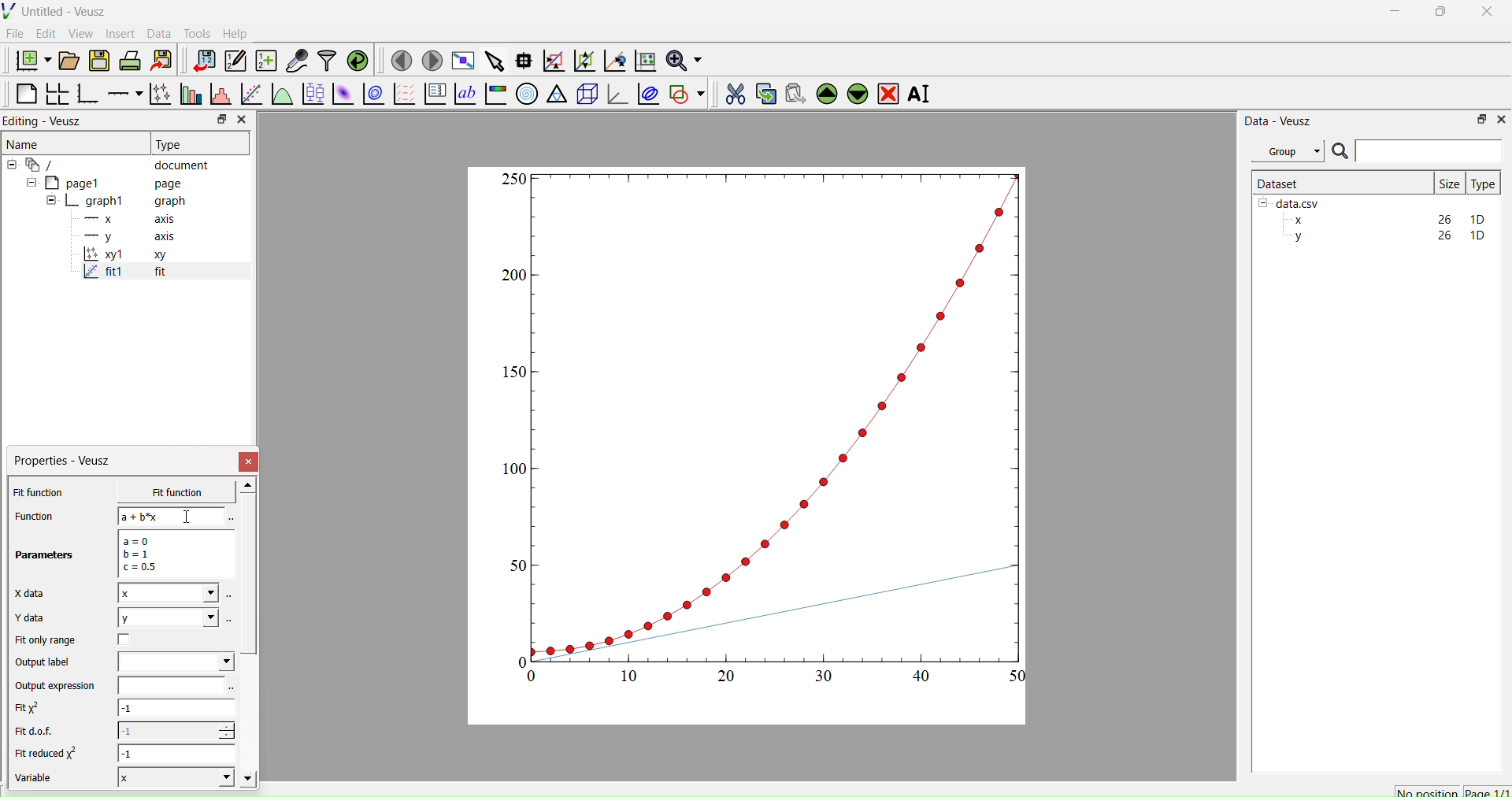 This screenshot has height=797, width=1512. What do you see at coordinates (1437, 13) in the screenshot?
I see `Restore Down` at bounding box center [1437, 13].